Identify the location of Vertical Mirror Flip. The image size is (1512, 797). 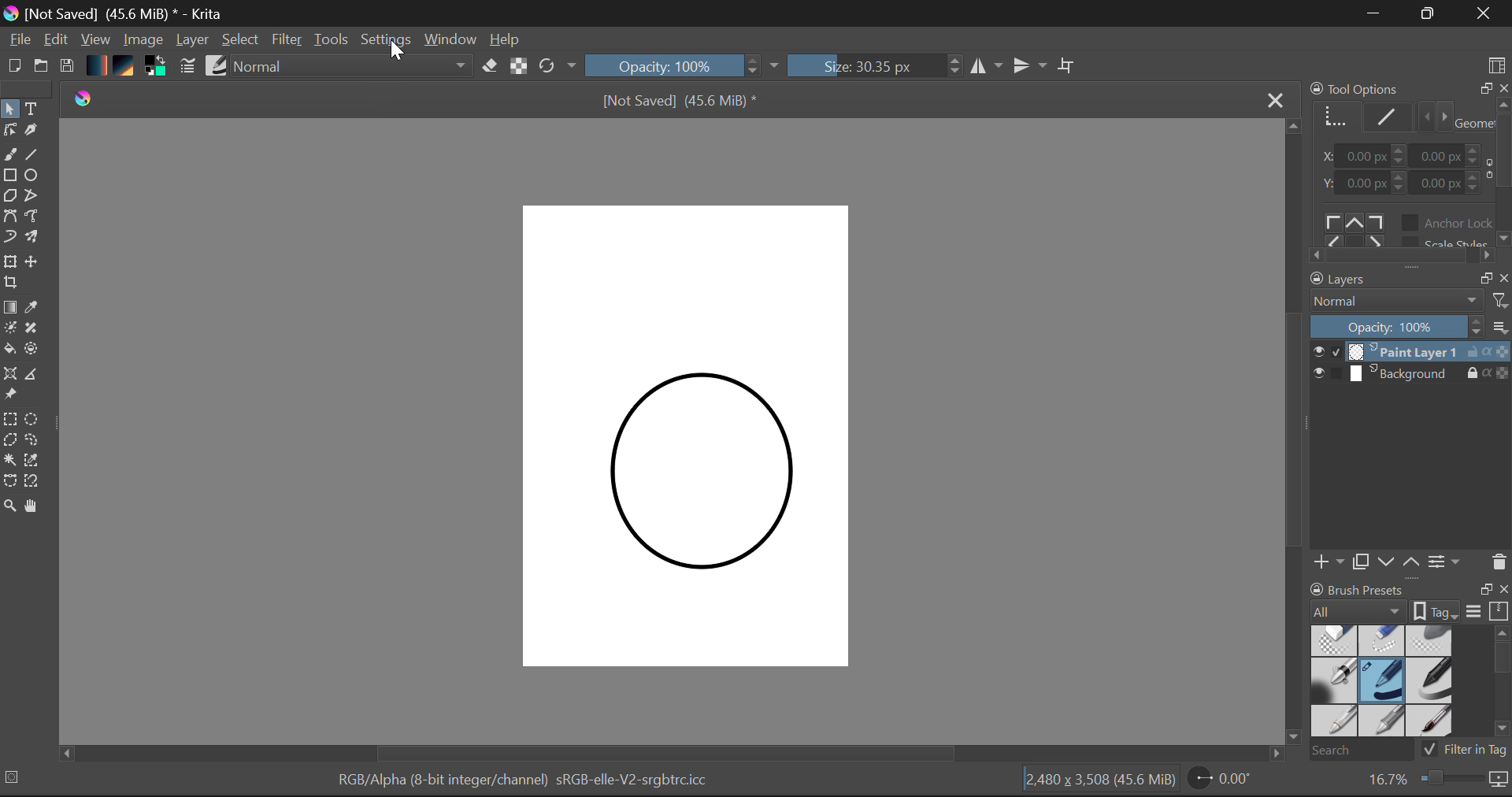
(988, 66).